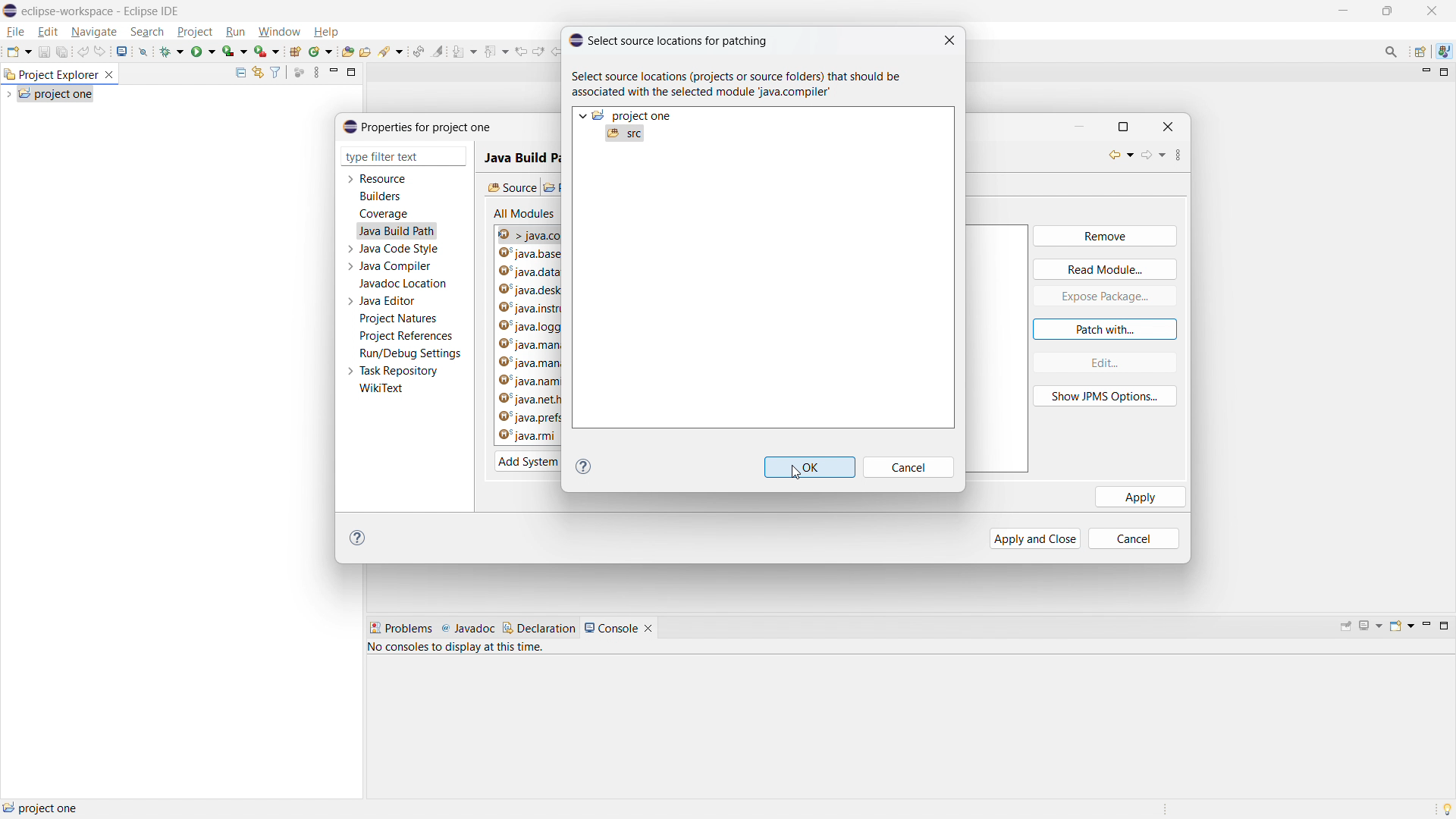 This screenshot has height=819, width=1456. I want to click on tip of the day, so click(1447, 808).